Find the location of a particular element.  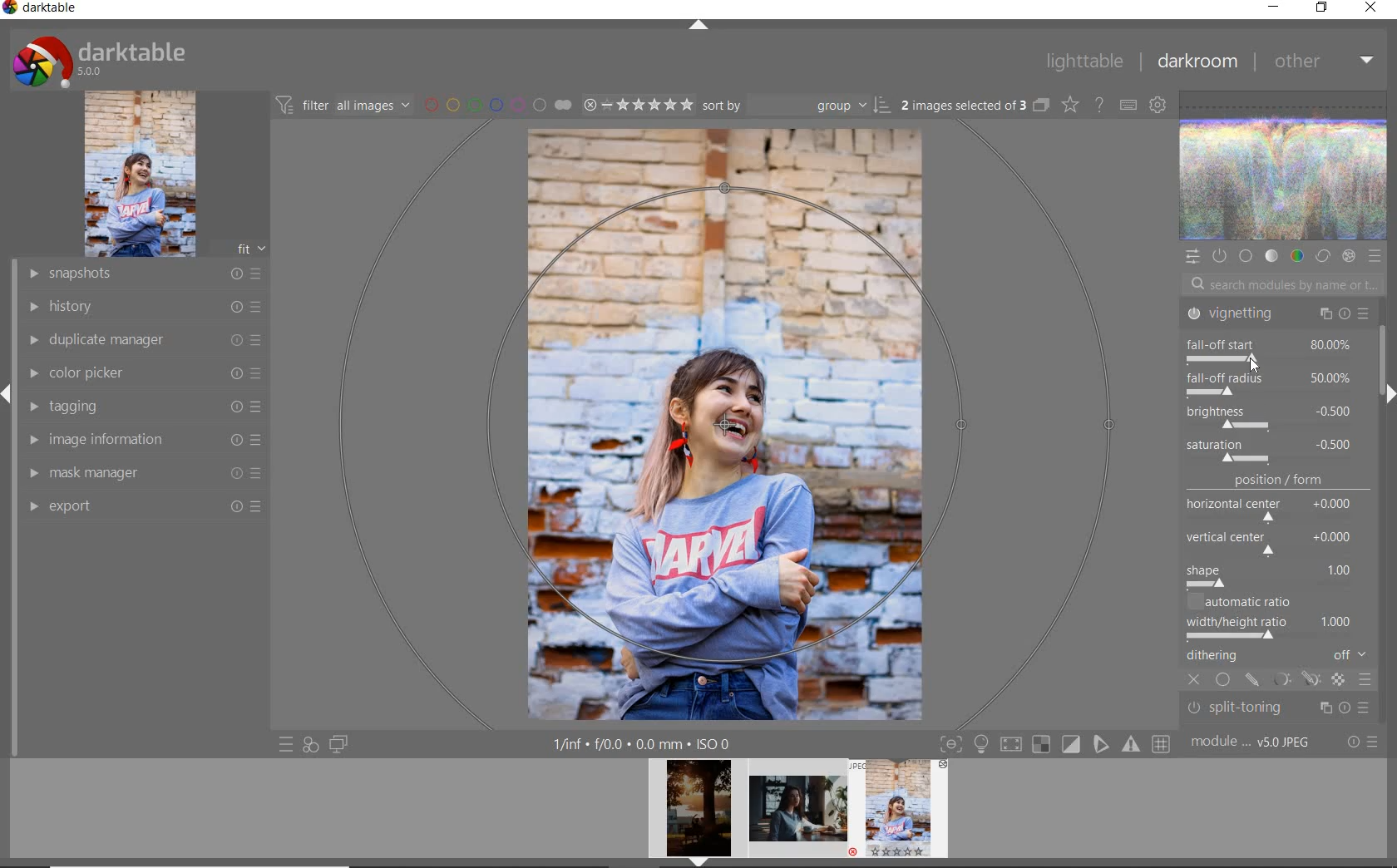

ENABLE ONLINE FOR HELP is located at coordinates (1098, 103).